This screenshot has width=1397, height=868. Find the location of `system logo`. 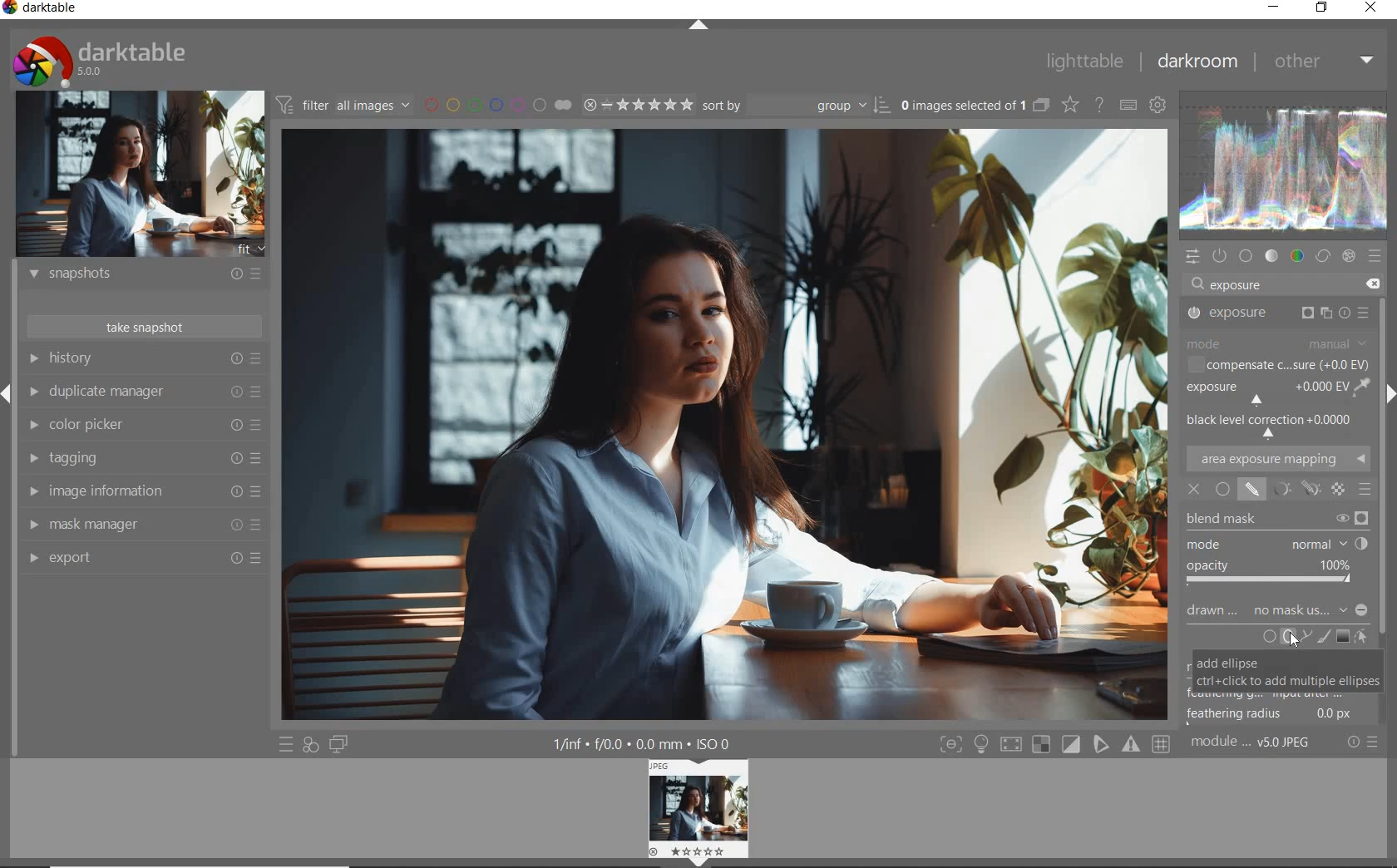

system logo is located at coordinates (101, 61).